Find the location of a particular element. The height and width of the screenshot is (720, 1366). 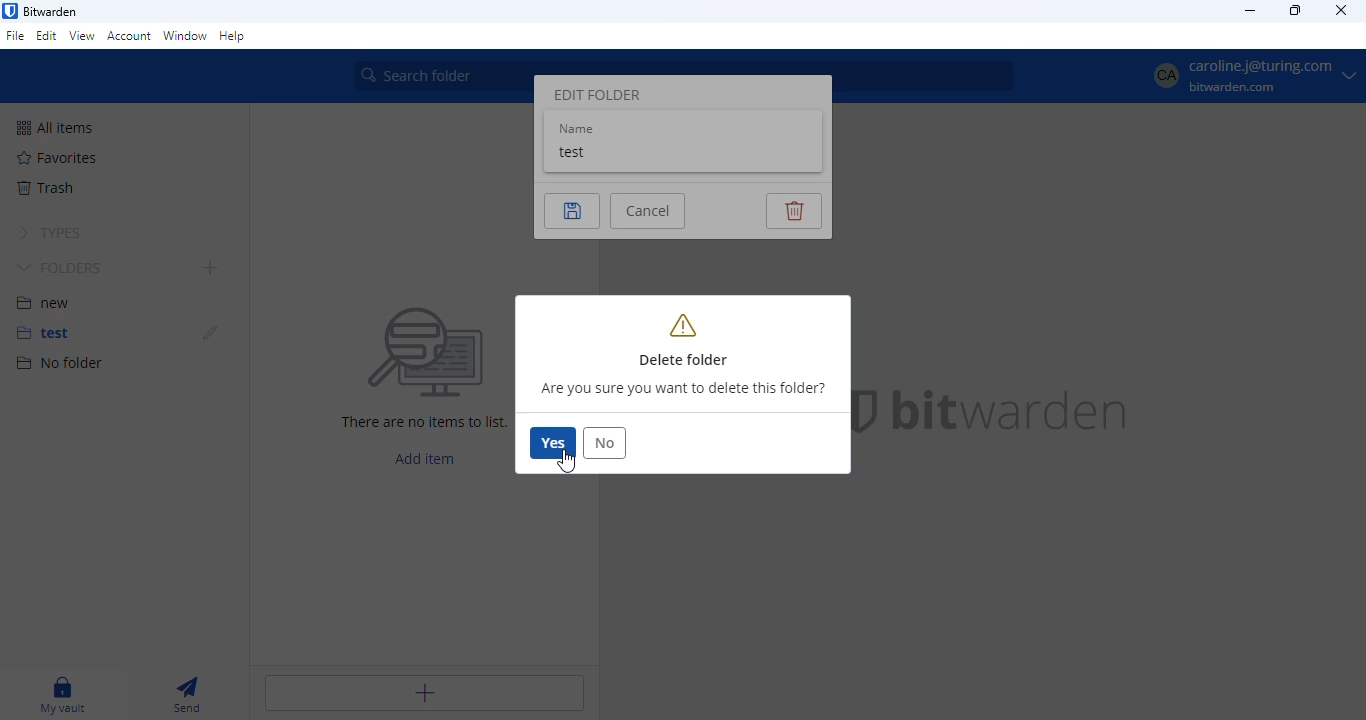

trash is located at coordinates (47, 188).